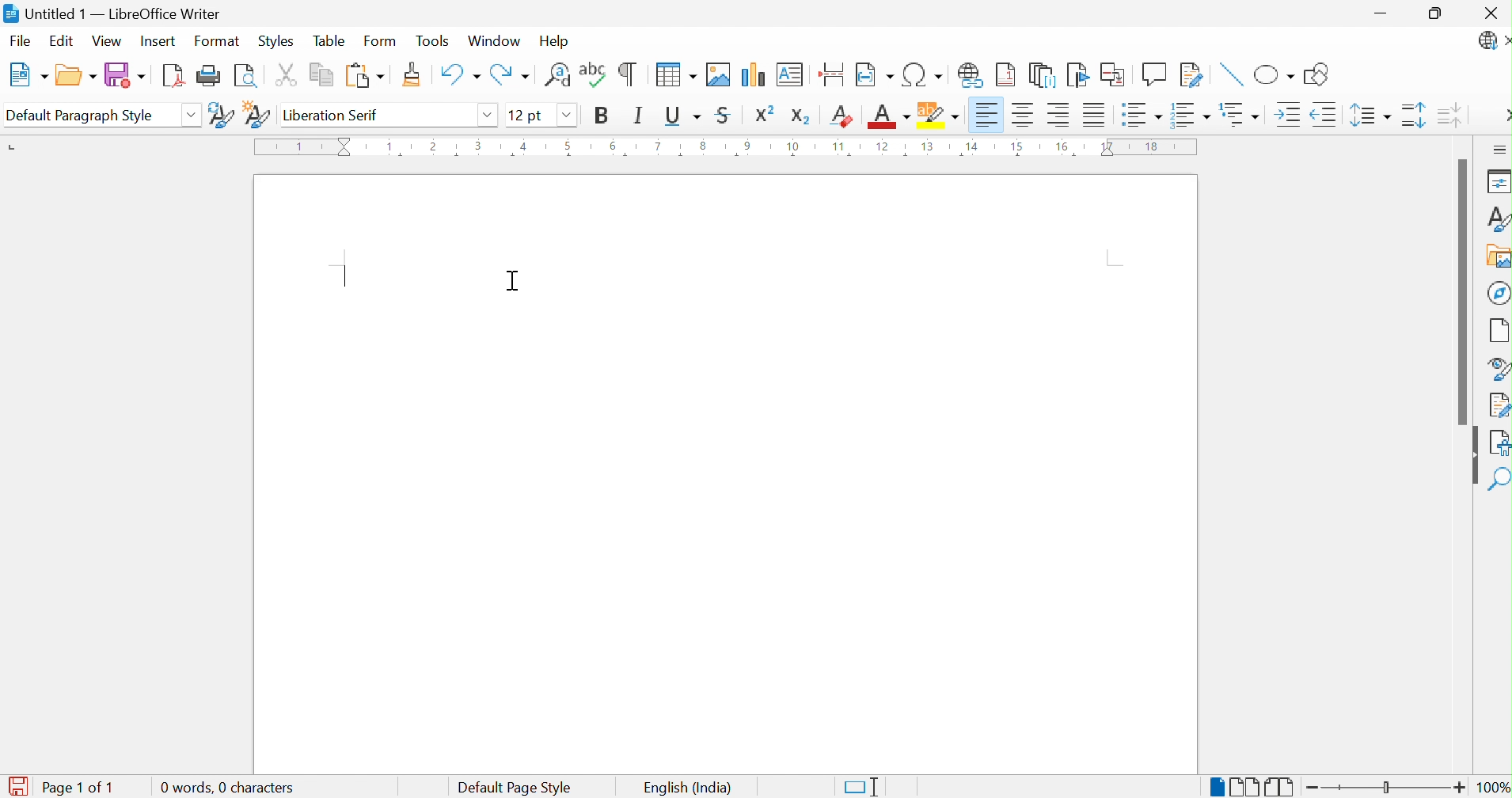 The height and width of the screenshot is (798, 1512). What do you see at coordinates (1192, 74) in the screenshot?
I see `Show Track Changes Functions` at bounding box center [1192, 74].